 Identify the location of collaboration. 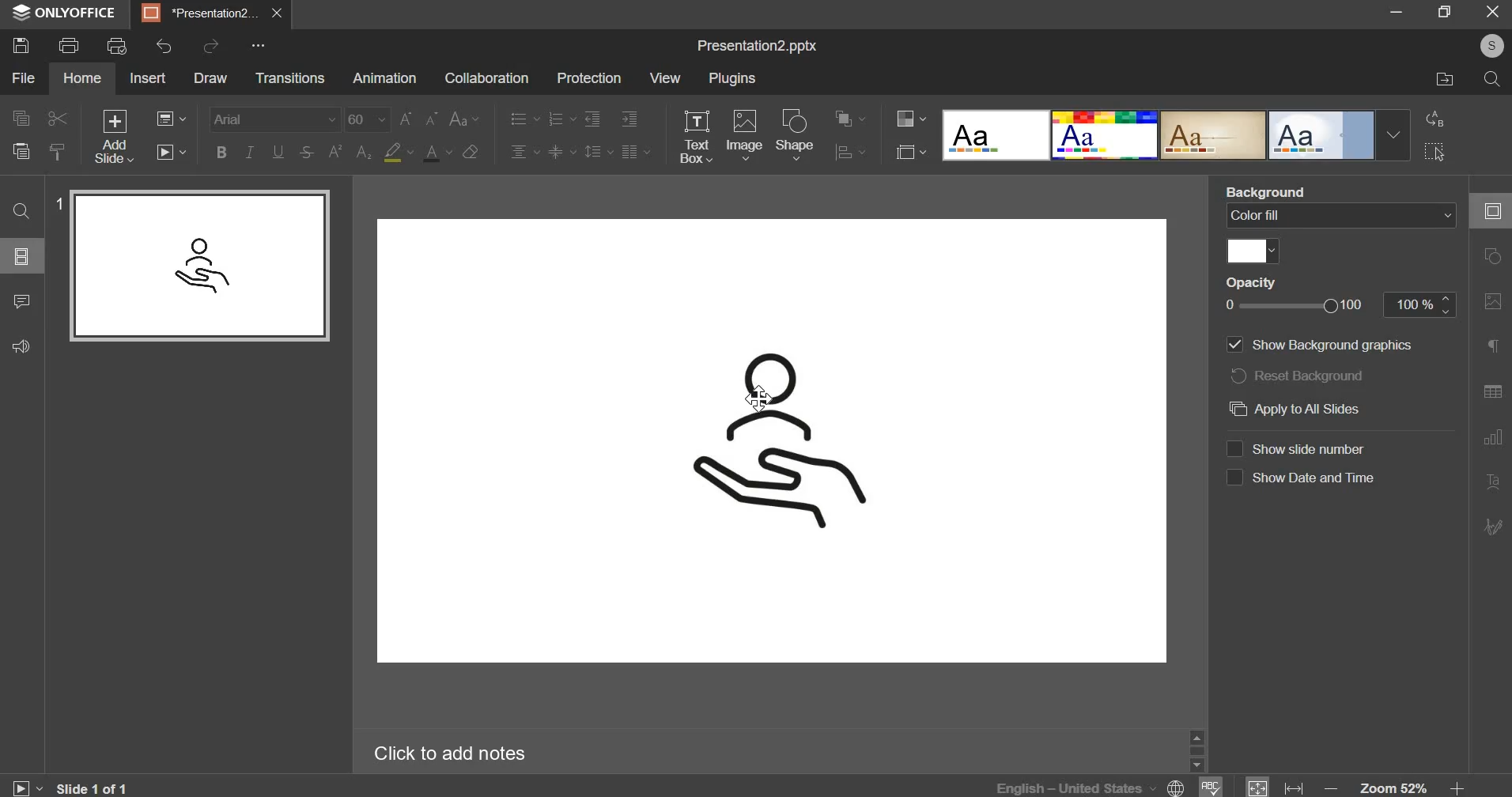
(485, 80).